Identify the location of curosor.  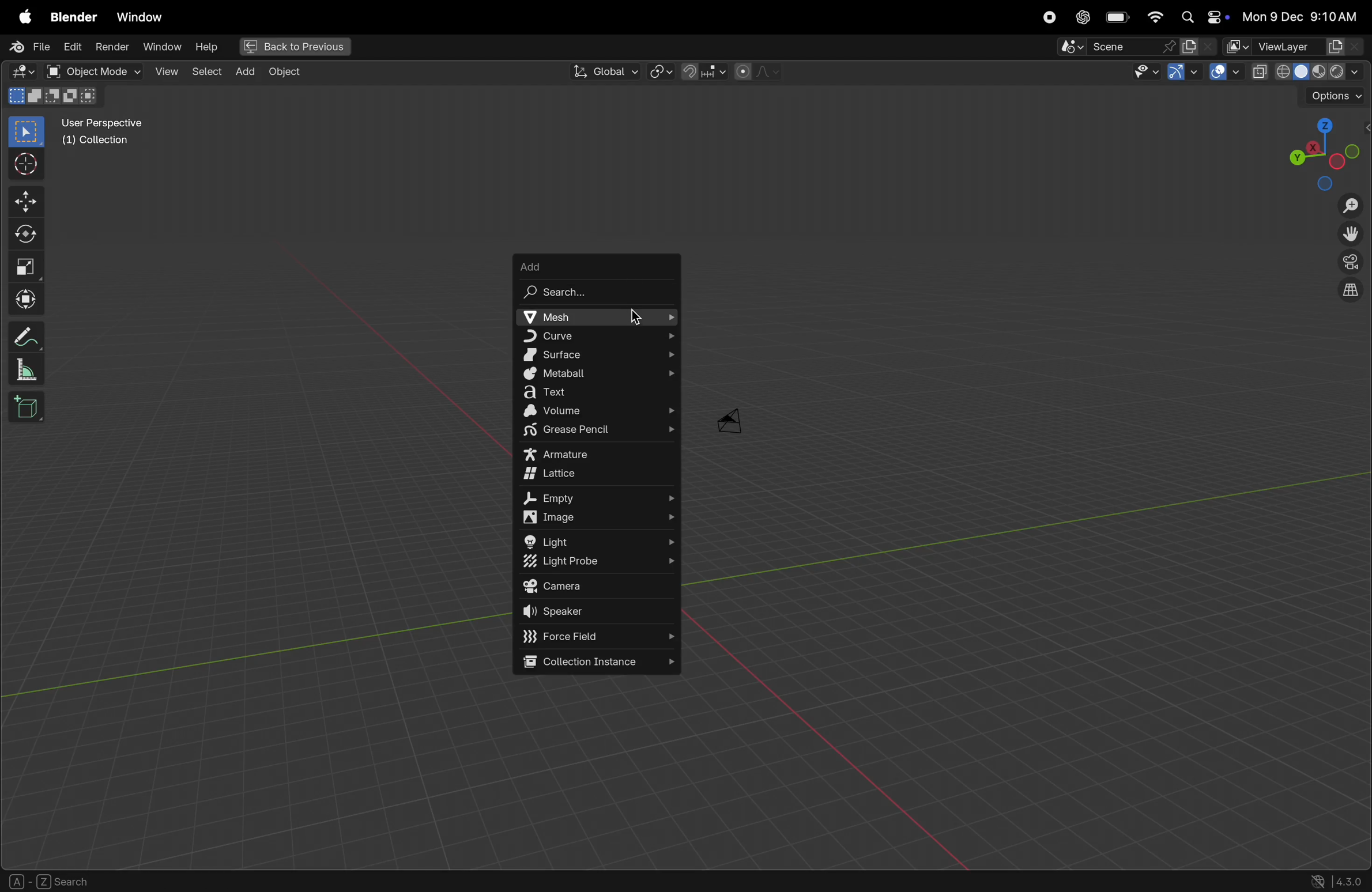
(29, 163).